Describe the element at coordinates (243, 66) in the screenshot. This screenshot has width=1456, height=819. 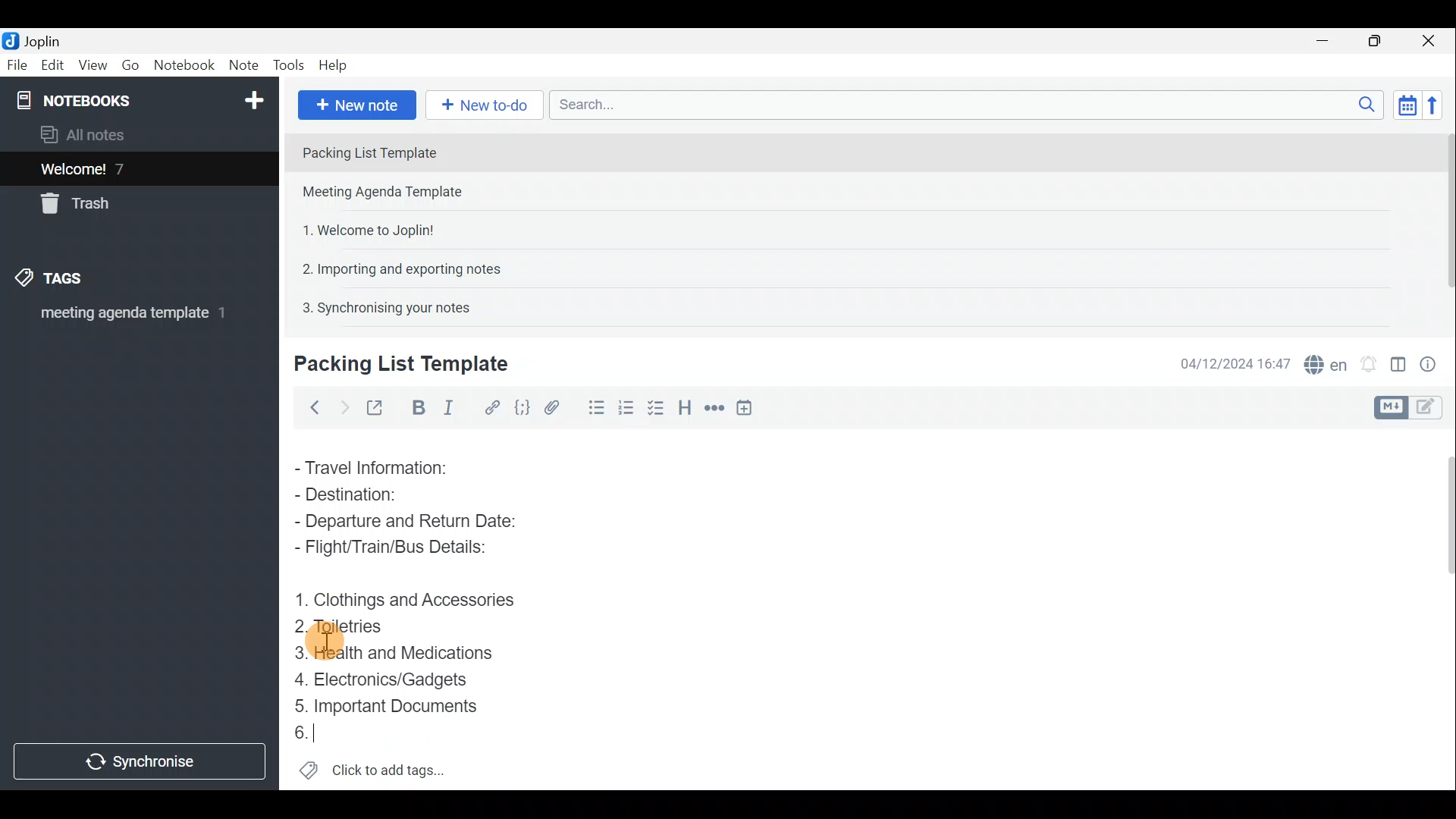
I see `Note` at that location.